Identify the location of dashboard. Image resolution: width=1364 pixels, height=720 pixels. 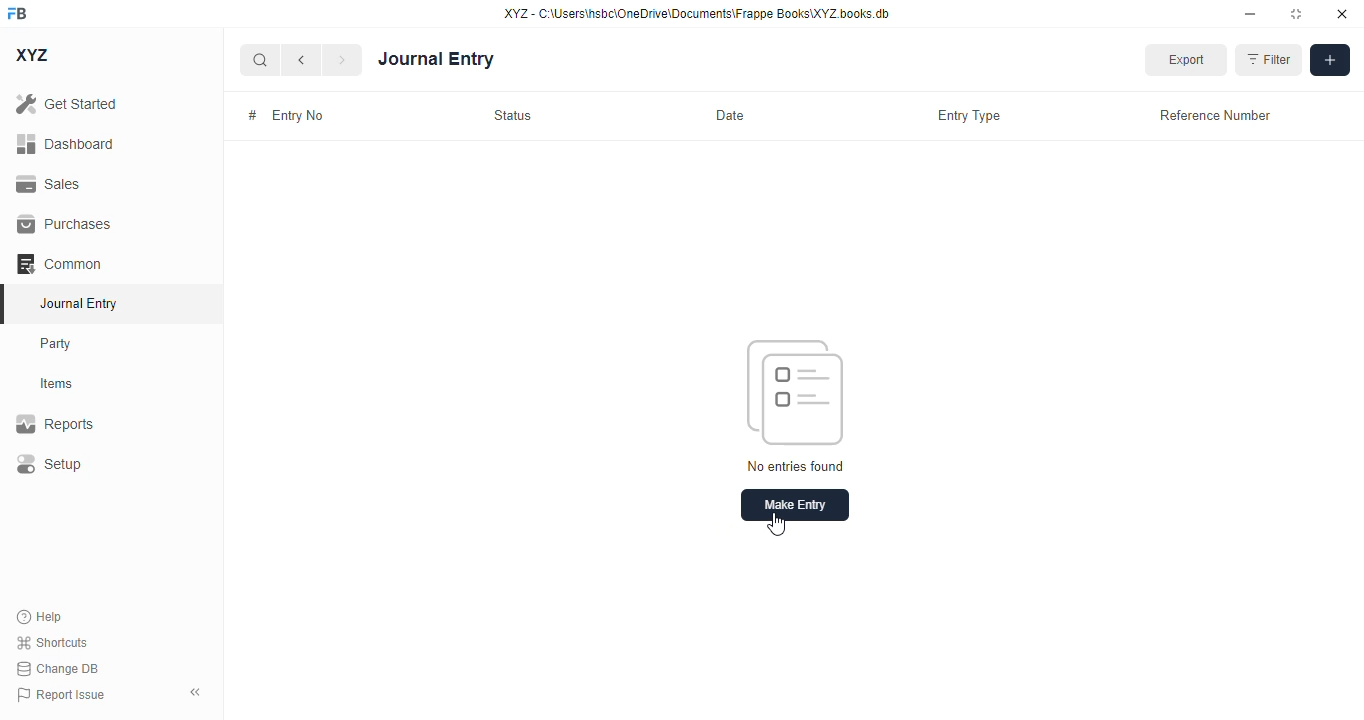
(65, 143).